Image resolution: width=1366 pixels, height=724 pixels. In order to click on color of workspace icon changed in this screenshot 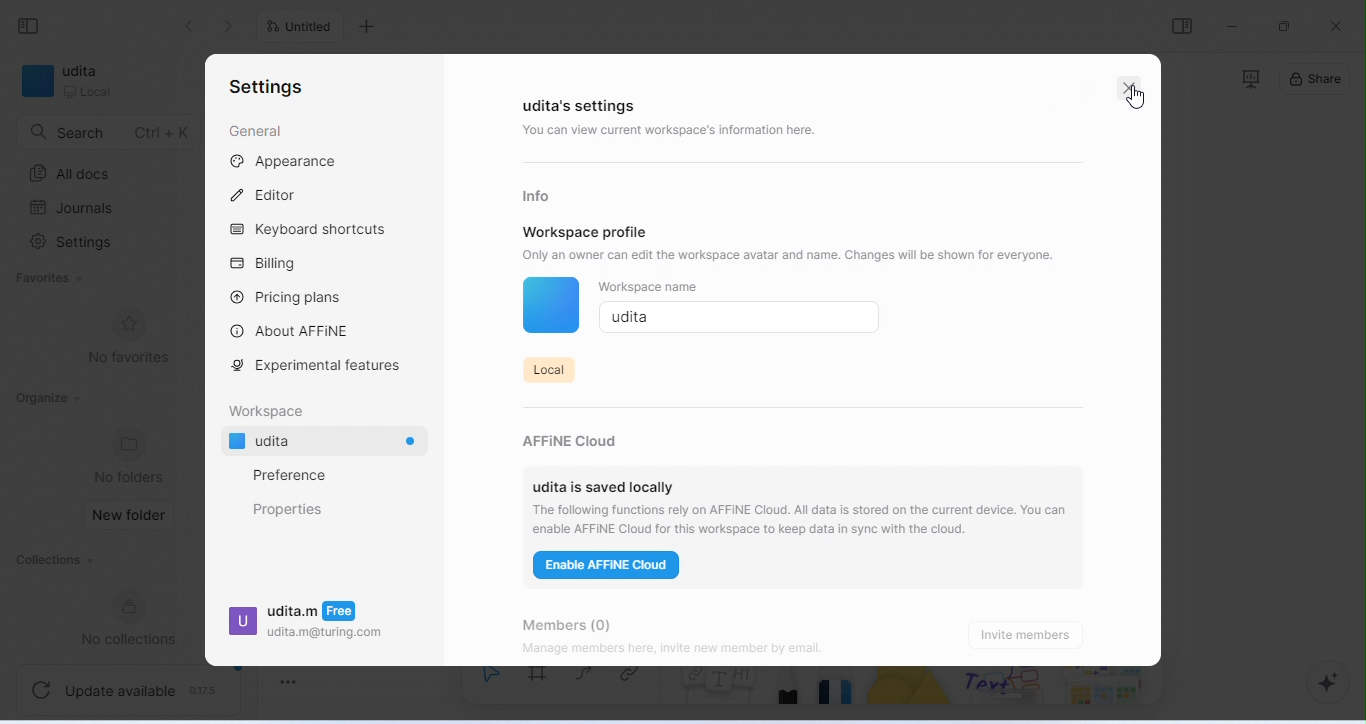, I will do `click(548, 304)`.